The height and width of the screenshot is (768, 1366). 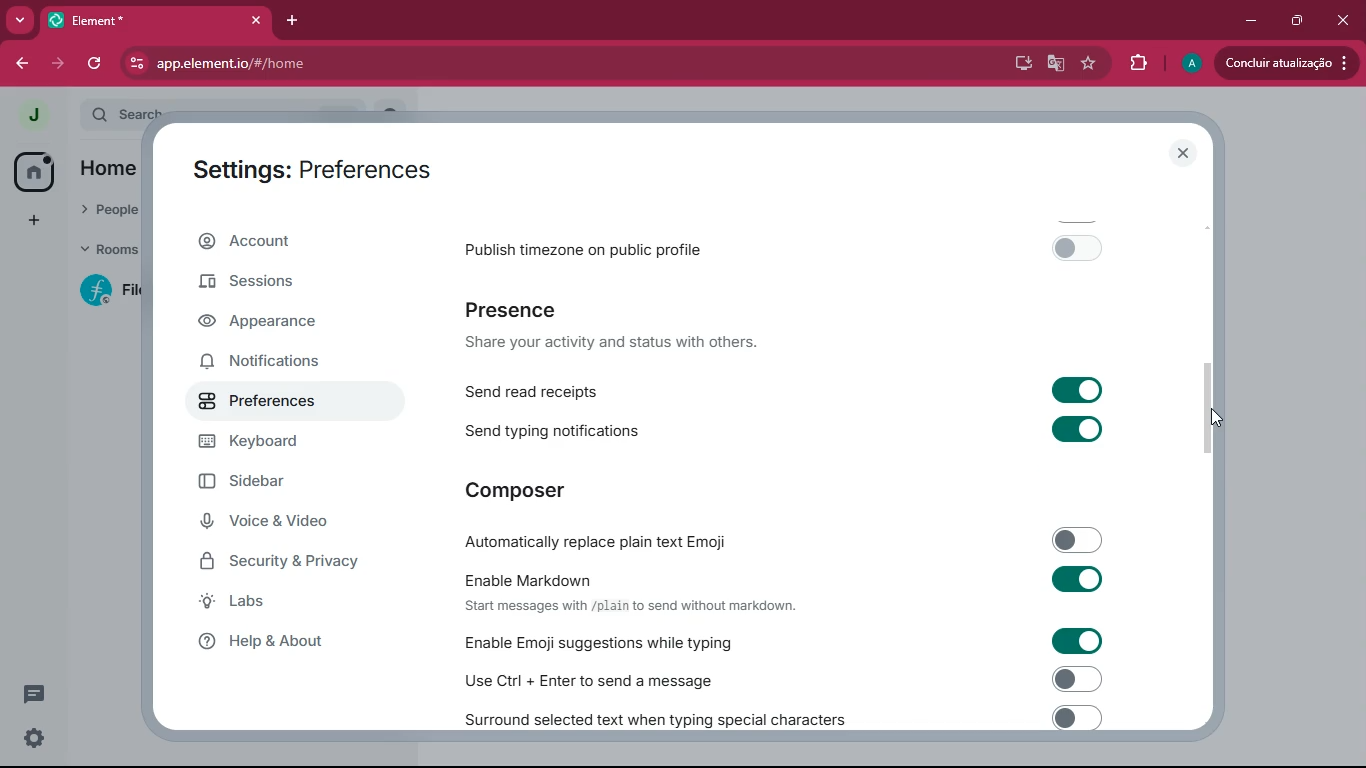 What do you see at coordinates (18, 64) in the screenshot?
I see `back` at bounding box center [18, 64].